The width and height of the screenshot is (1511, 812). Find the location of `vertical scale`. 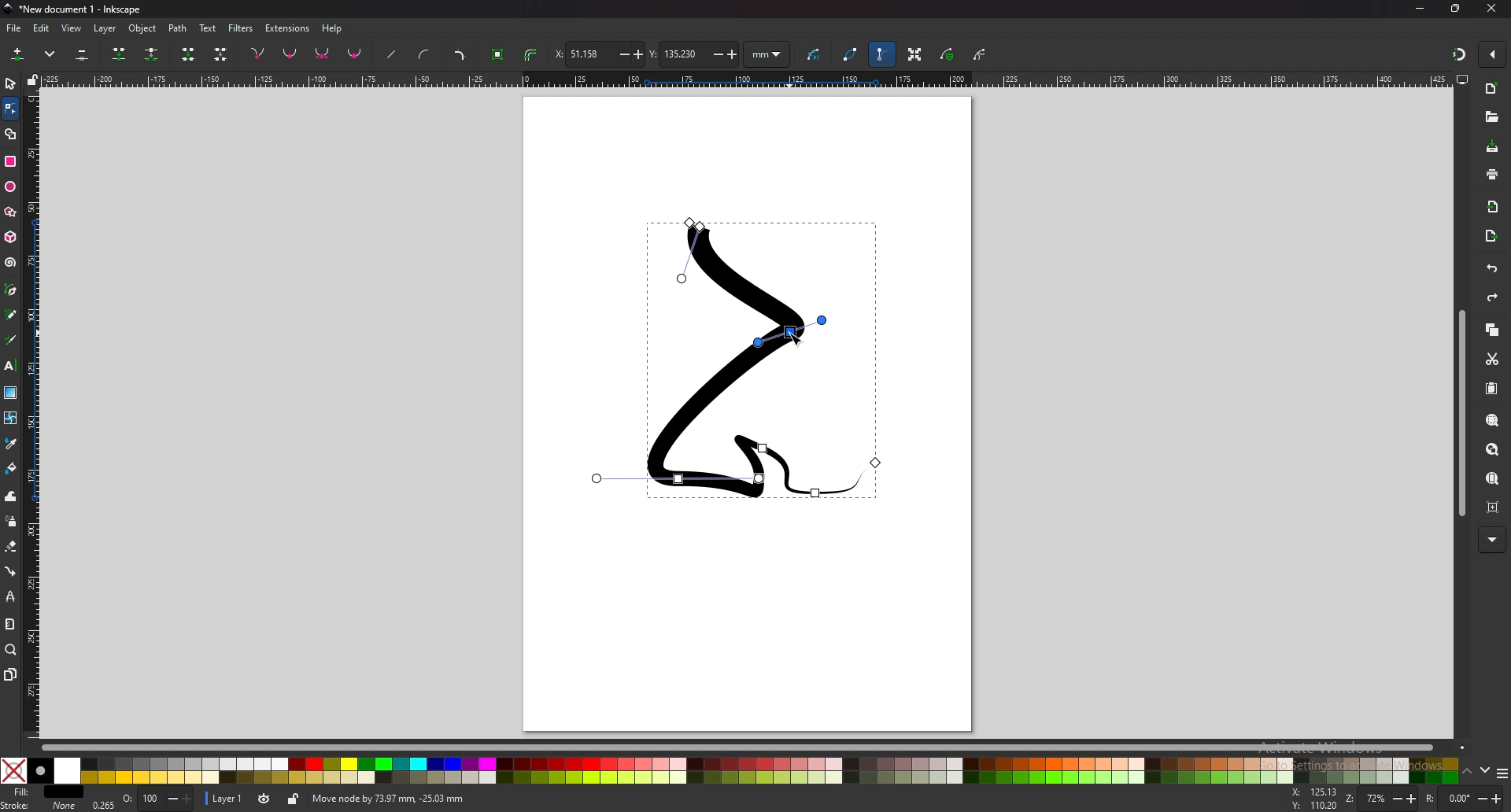

vertical scale is located at coordinates (31, 413).